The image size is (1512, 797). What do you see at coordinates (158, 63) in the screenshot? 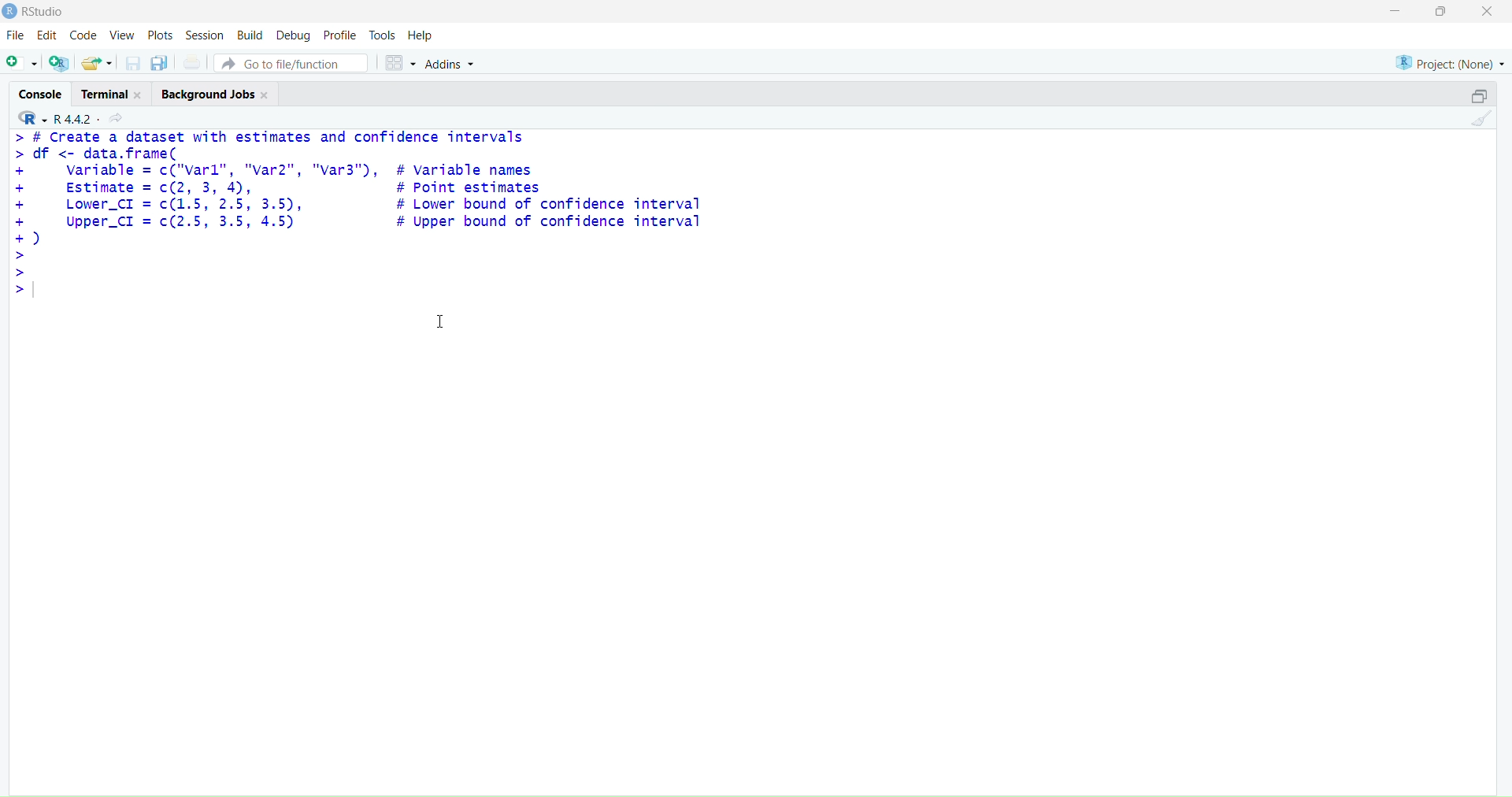
I see `save all open document` at bounding box center [158, 63].